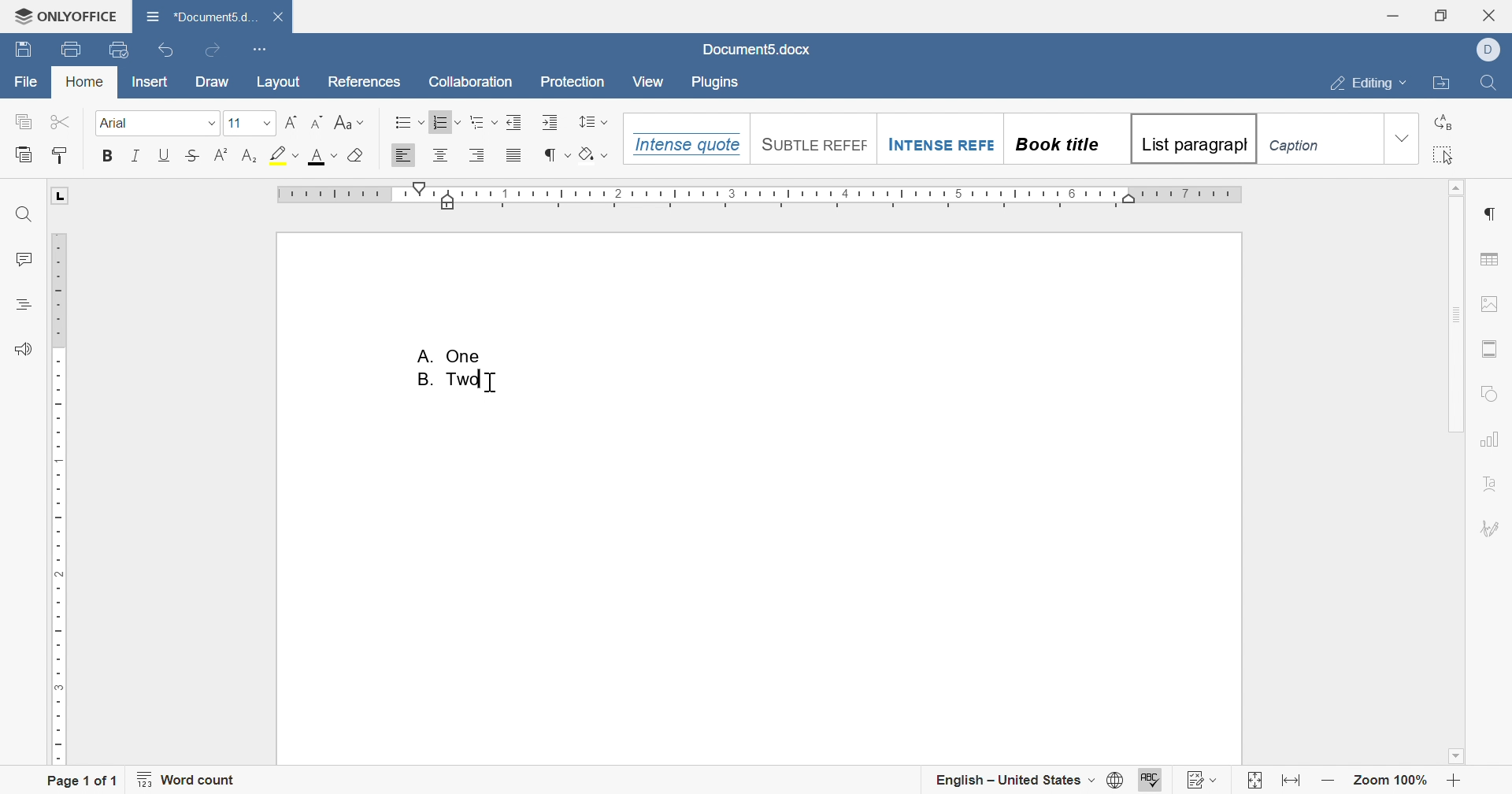 This screenshot has height=794, width=1512. I want to click on scroll bar, so click(1455, 307).